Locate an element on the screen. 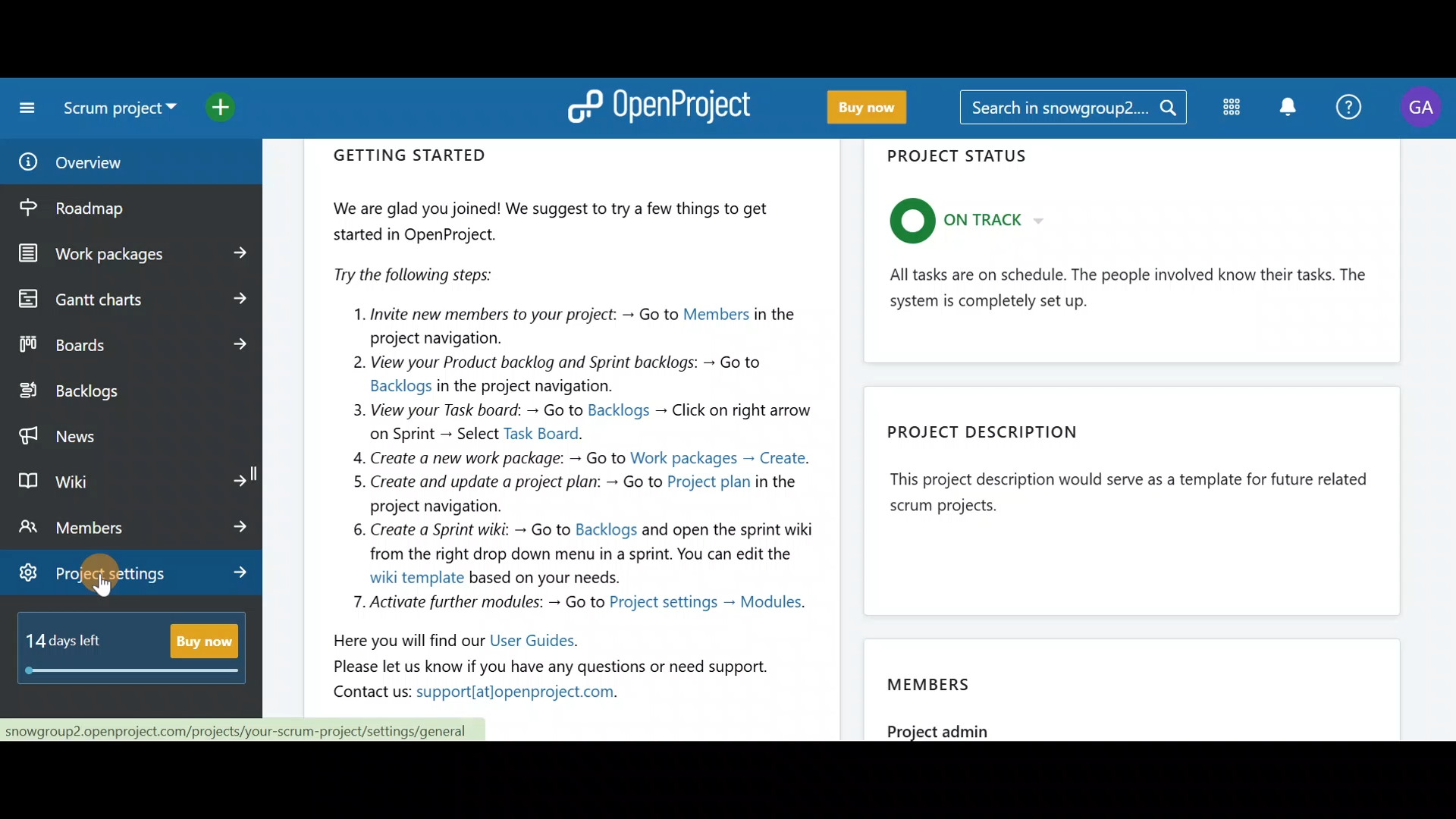 Image resolution: width=1456 pixels, height=819 pixels. Buy now is located at coordinates (138, 657).